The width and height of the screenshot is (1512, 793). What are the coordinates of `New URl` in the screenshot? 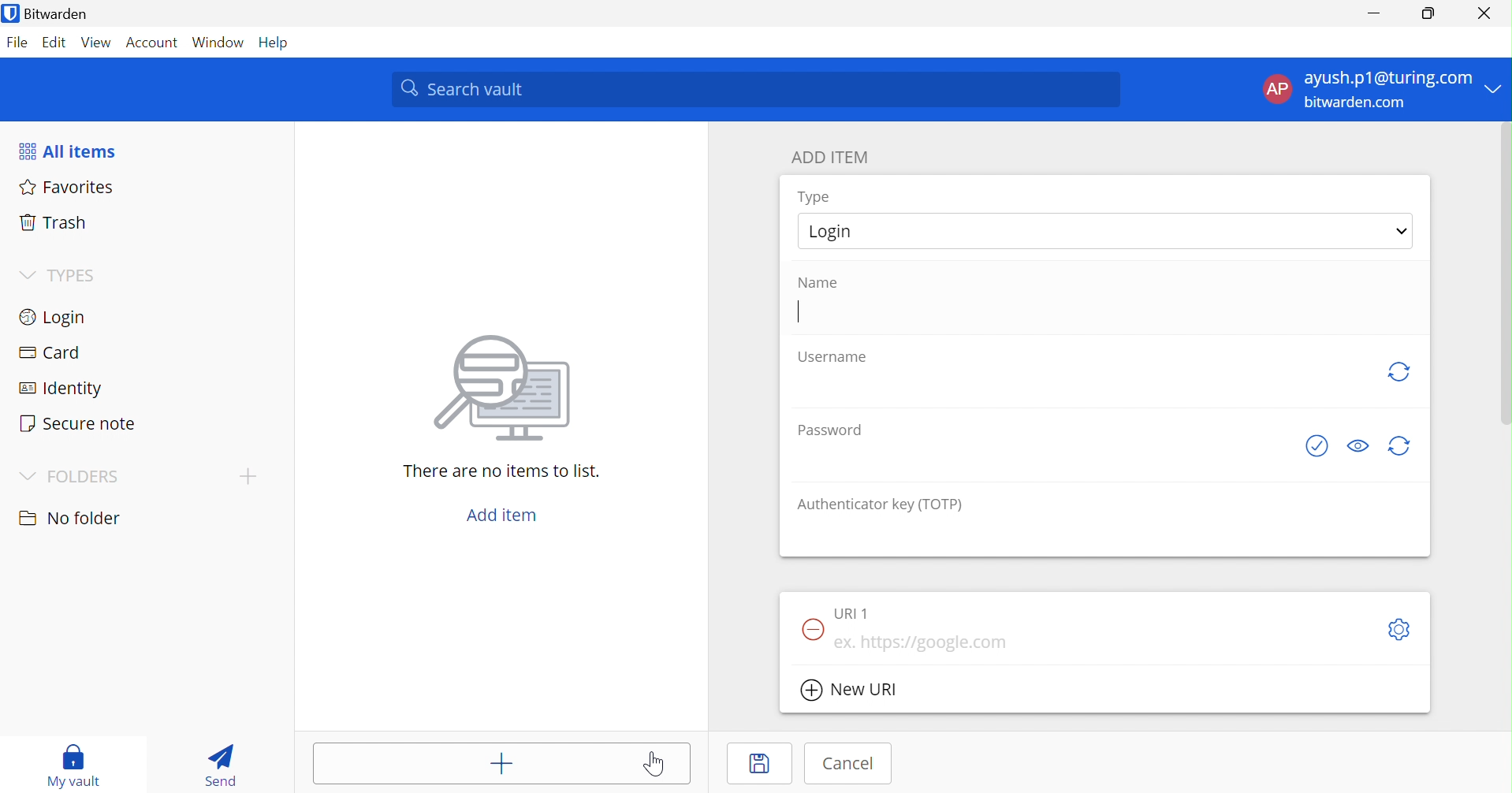 It's located at (851, 689).